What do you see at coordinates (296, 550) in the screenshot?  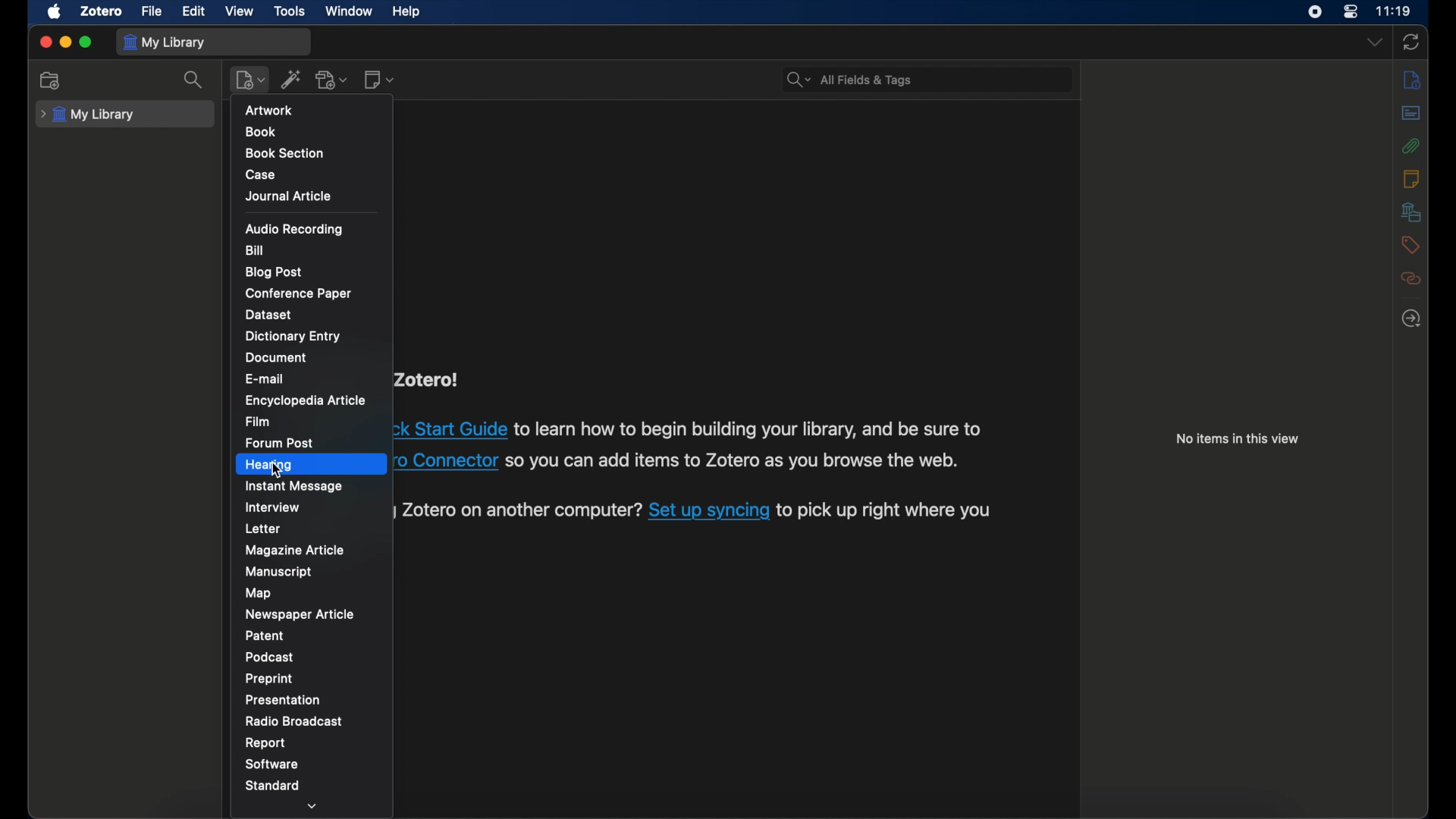 I see `magazine article` at bounding box center [296, 550].